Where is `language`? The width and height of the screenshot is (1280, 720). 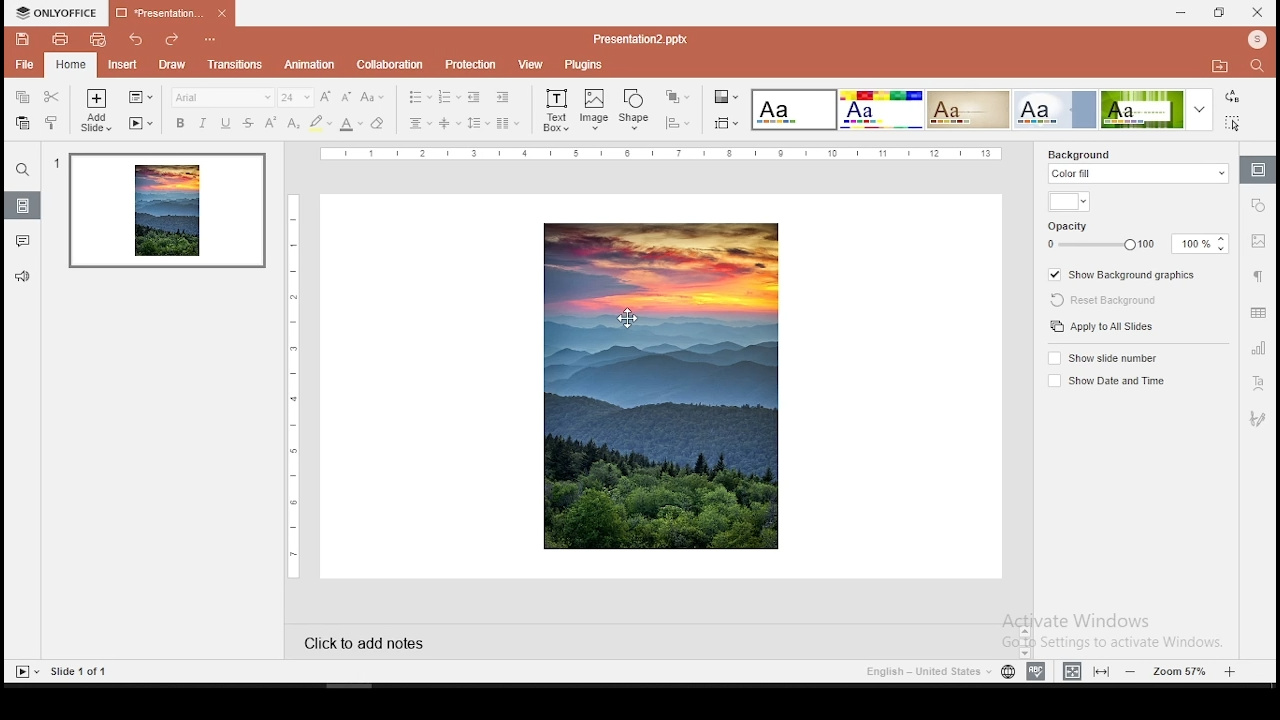
language is located at coordinates (1007, 671).